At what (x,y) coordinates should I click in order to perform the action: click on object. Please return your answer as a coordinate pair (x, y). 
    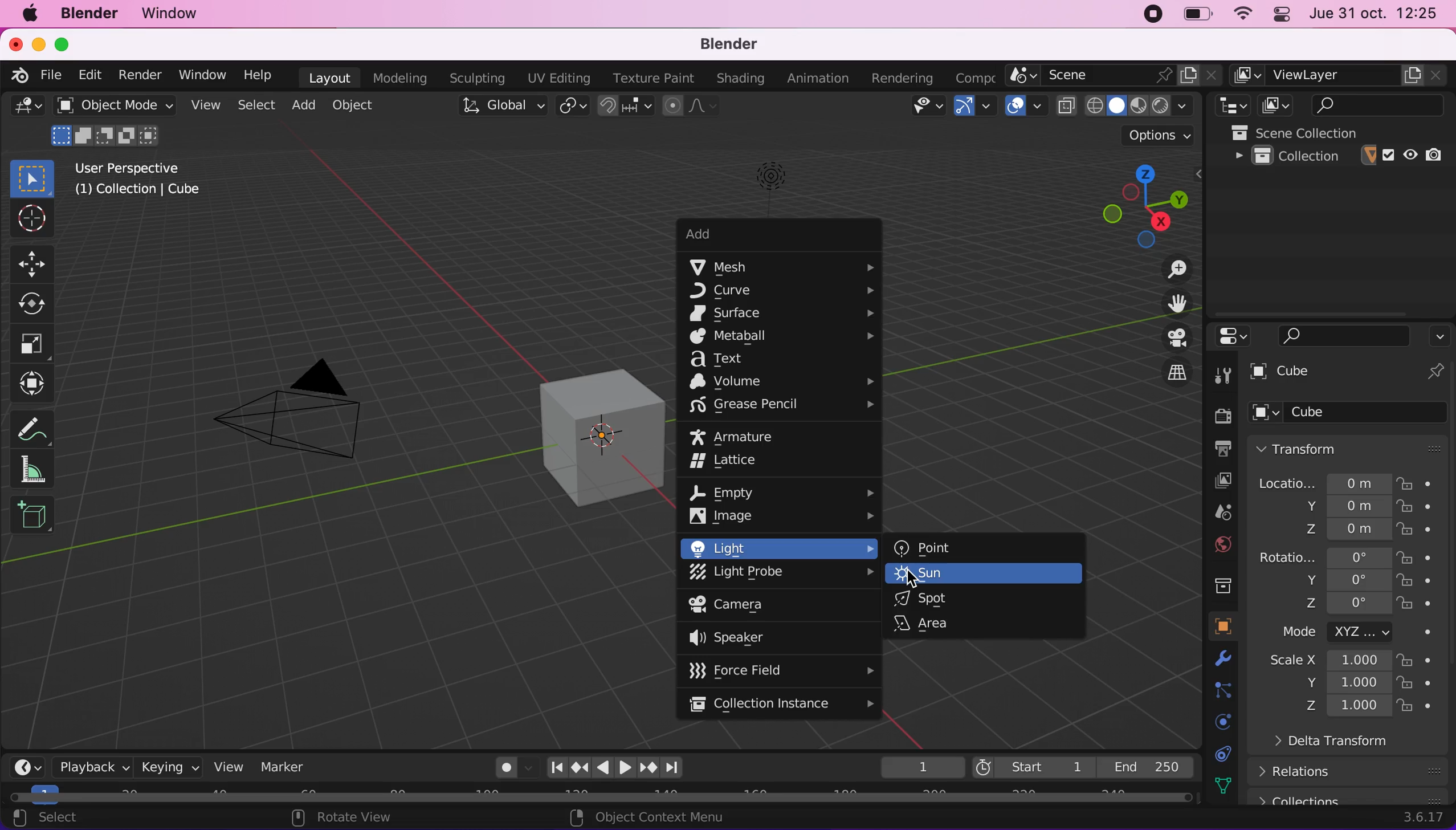
    Looking at the image, I should click on (1214, 626).